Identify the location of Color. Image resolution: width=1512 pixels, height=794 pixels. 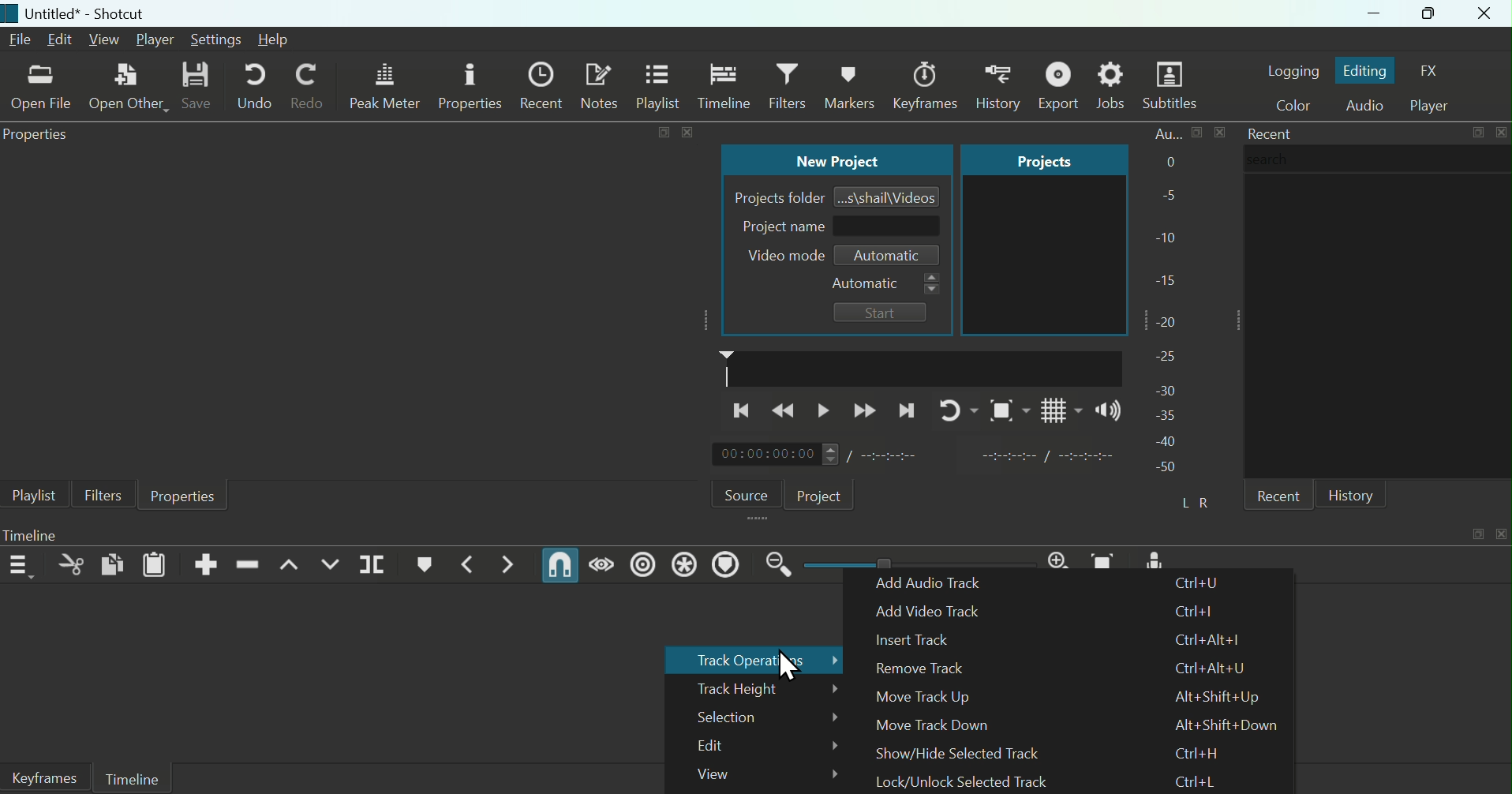
(1289, 106).